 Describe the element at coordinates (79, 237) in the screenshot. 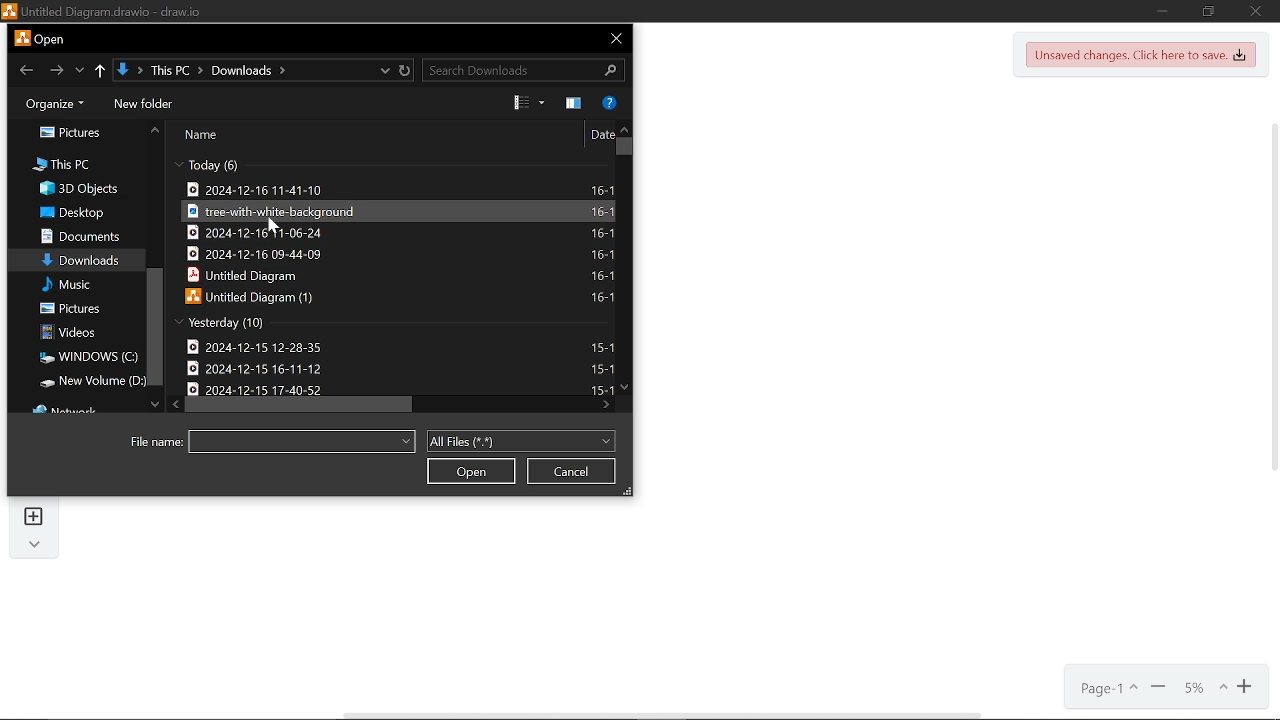

I see `documents` at that location.